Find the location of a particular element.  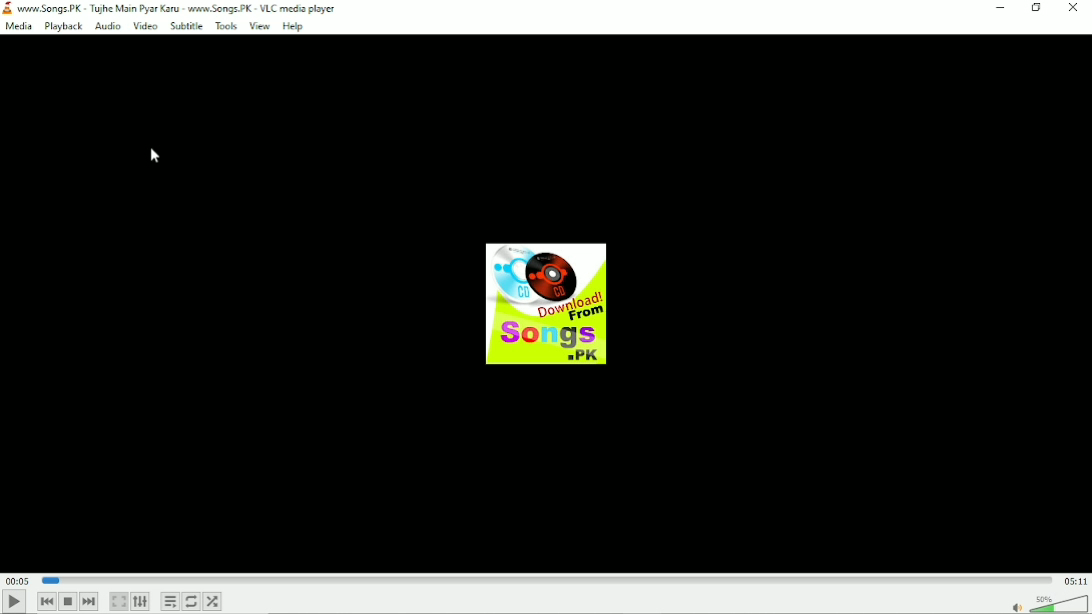

Media is located at coordinates (19, 27).